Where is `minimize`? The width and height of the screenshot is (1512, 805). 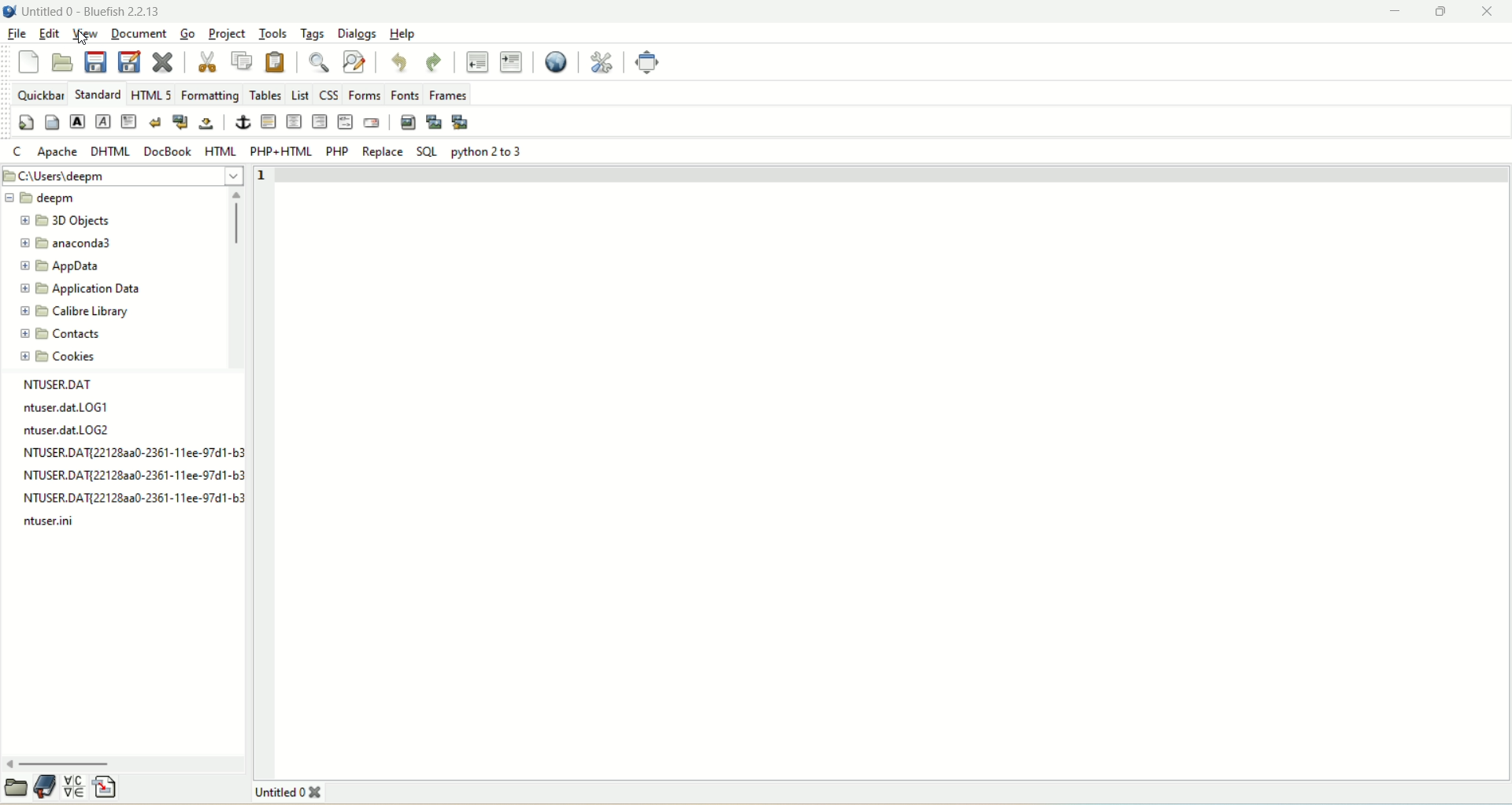
minimize is located at coordinates (1399, 11).